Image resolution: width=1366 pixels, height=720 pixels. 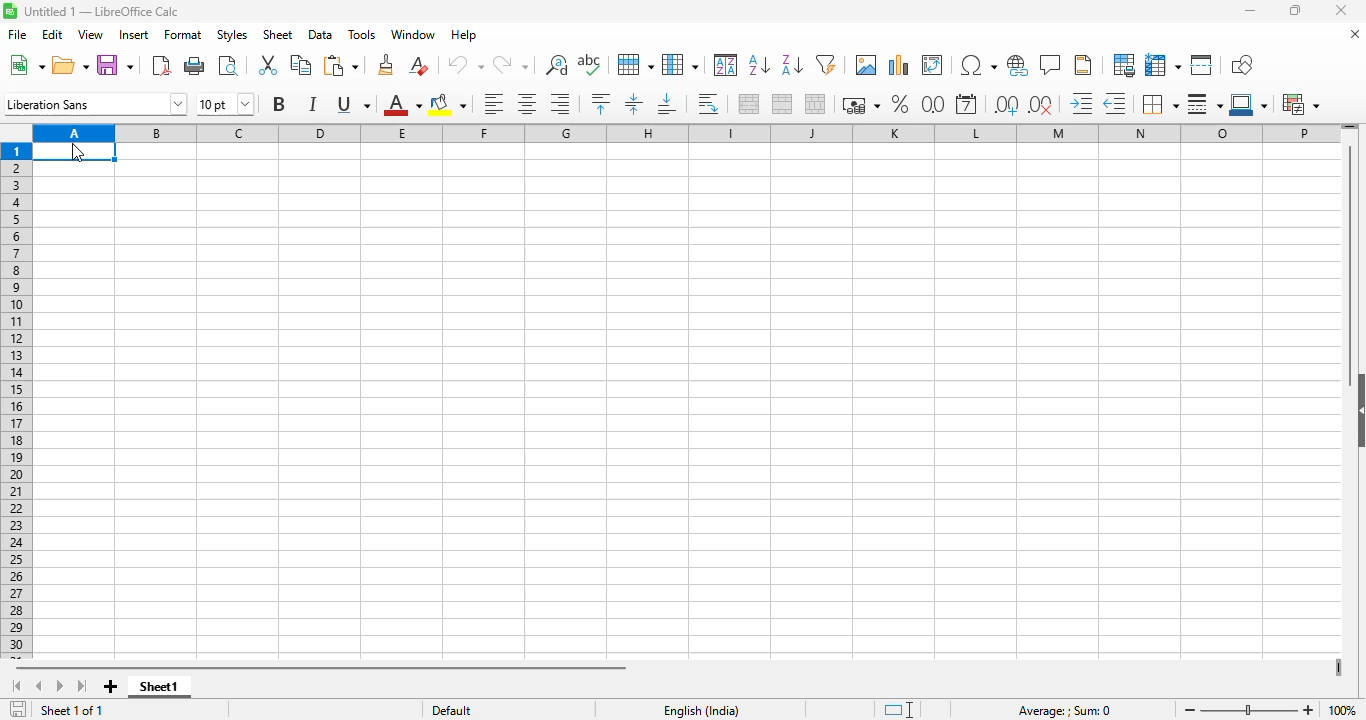 I want to click on insert or edit pivot table, so click(x=933, y=65).